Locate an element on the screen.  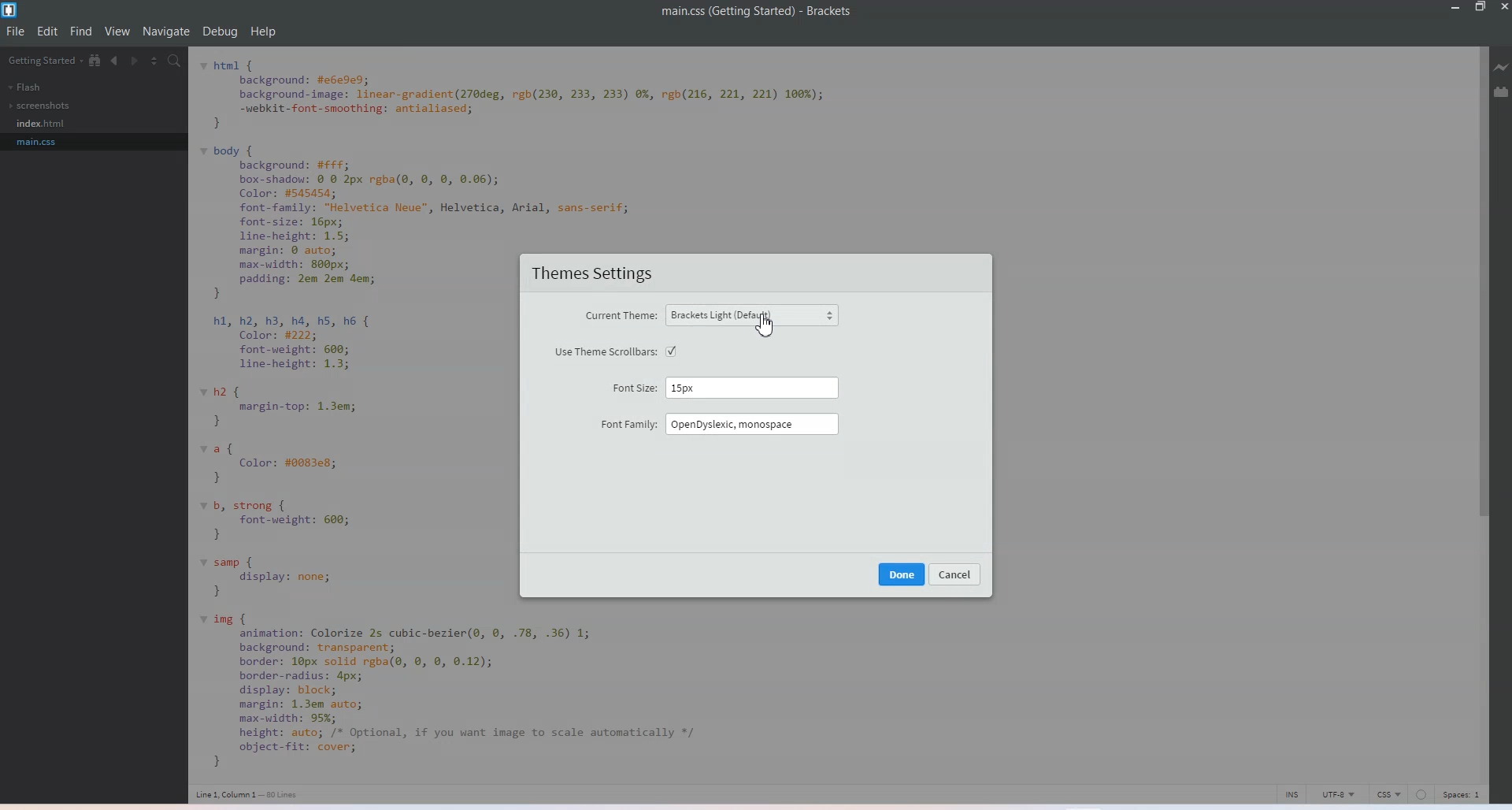
CSS is located at coordinates (1391, 794).